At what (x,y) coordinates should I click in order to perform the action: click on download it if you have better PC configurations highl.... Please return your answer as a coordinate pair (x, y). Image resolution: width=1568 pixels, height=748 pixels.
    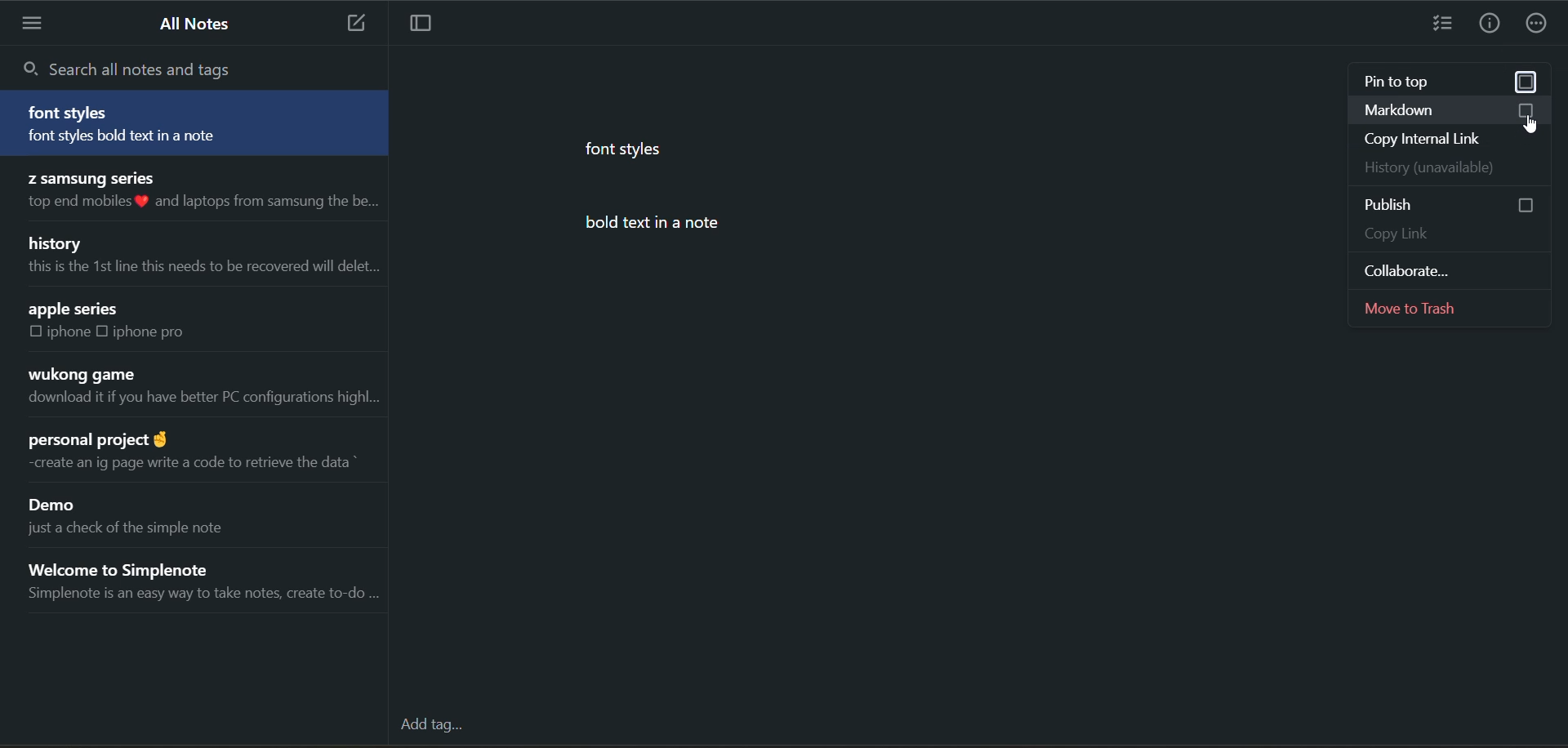
    Looking at the image, I should click on (202, 401).